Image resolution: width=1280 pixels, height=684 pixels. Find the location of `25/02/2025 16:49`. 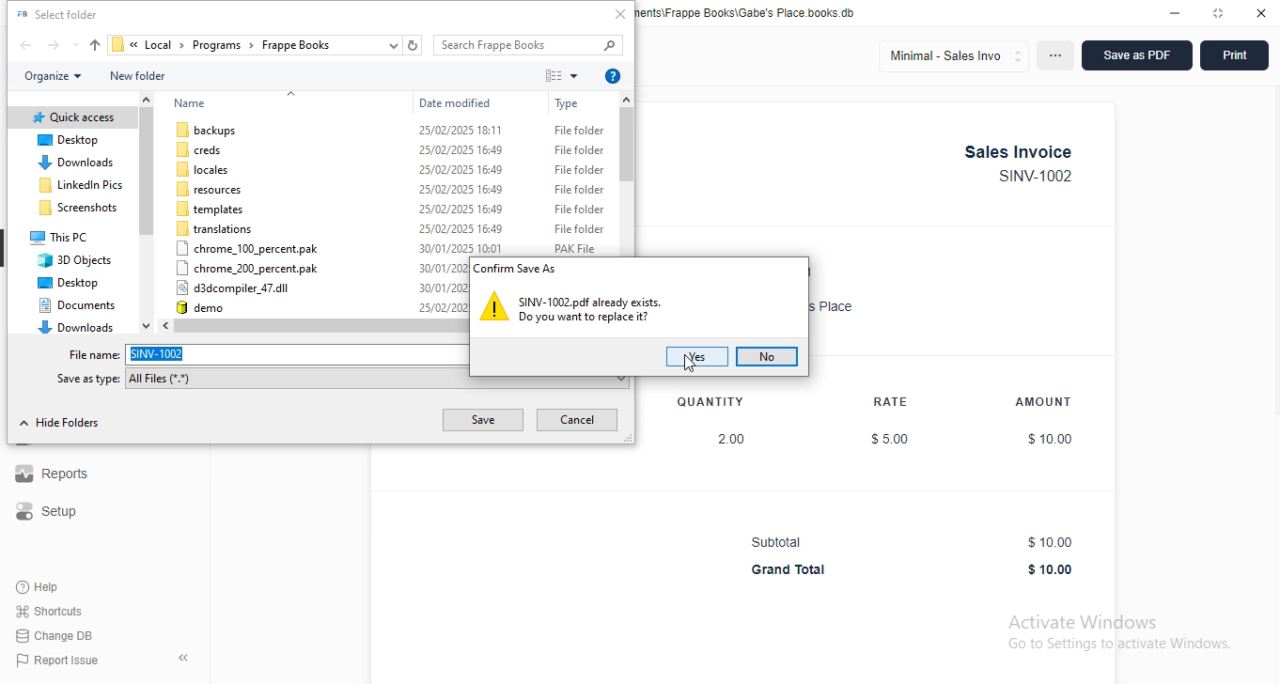

25/02/2025 16:49 is located at coordinates (461, 150).